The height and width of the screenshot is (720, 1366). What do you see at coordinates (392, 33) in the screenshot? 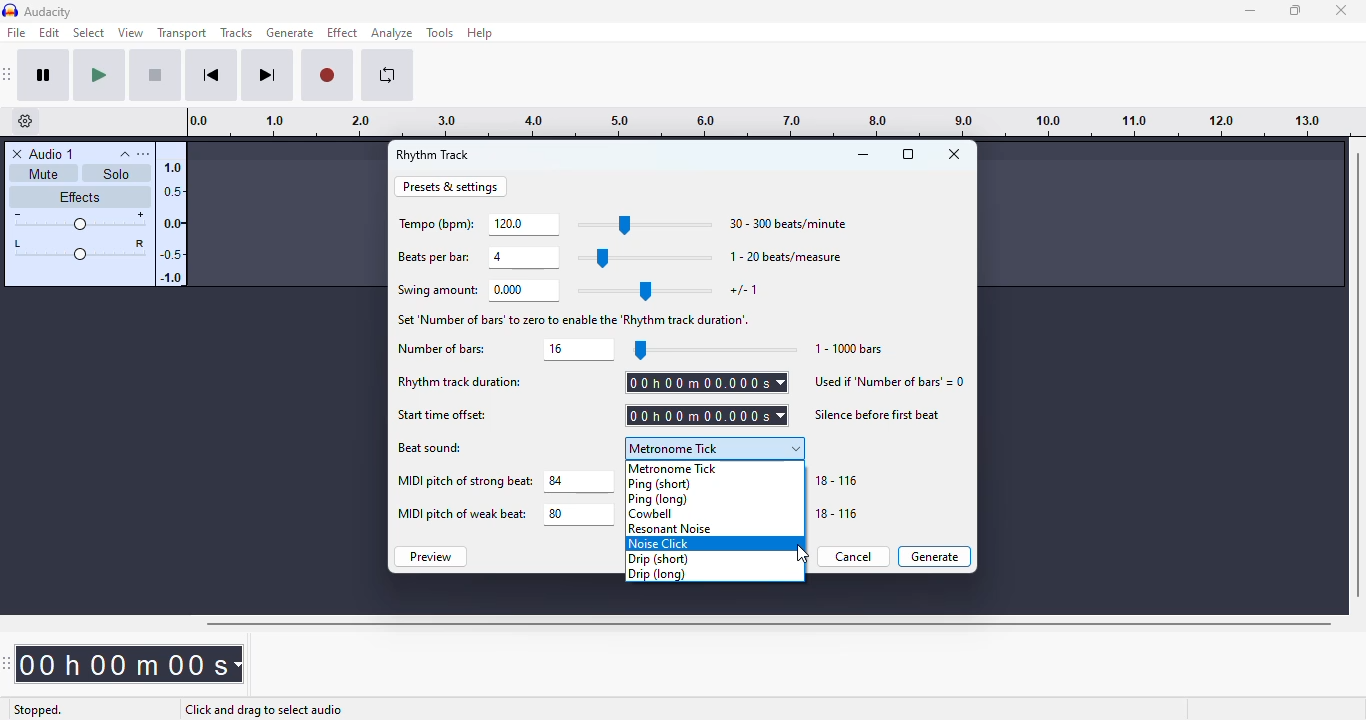
I see `analyze` at bounding box center [392, 33].